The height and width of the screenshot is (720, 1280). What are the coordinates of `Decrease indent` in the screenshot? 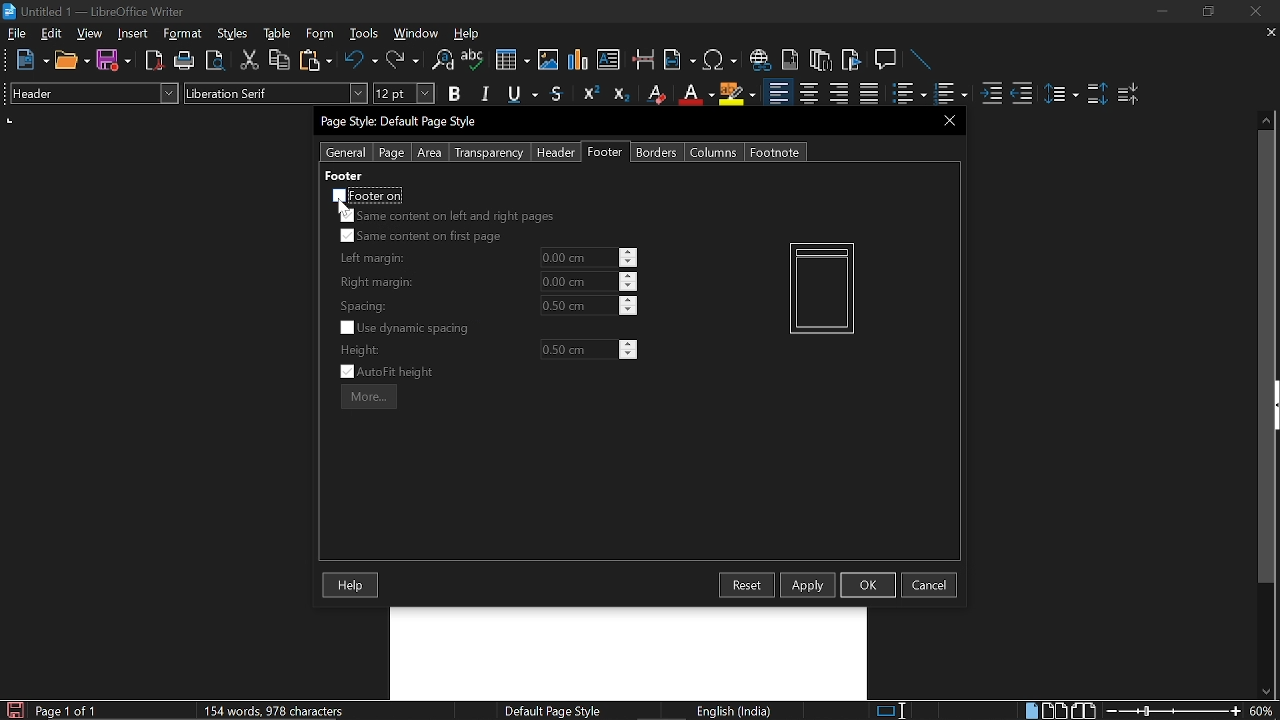 It's located at (1022, 93).